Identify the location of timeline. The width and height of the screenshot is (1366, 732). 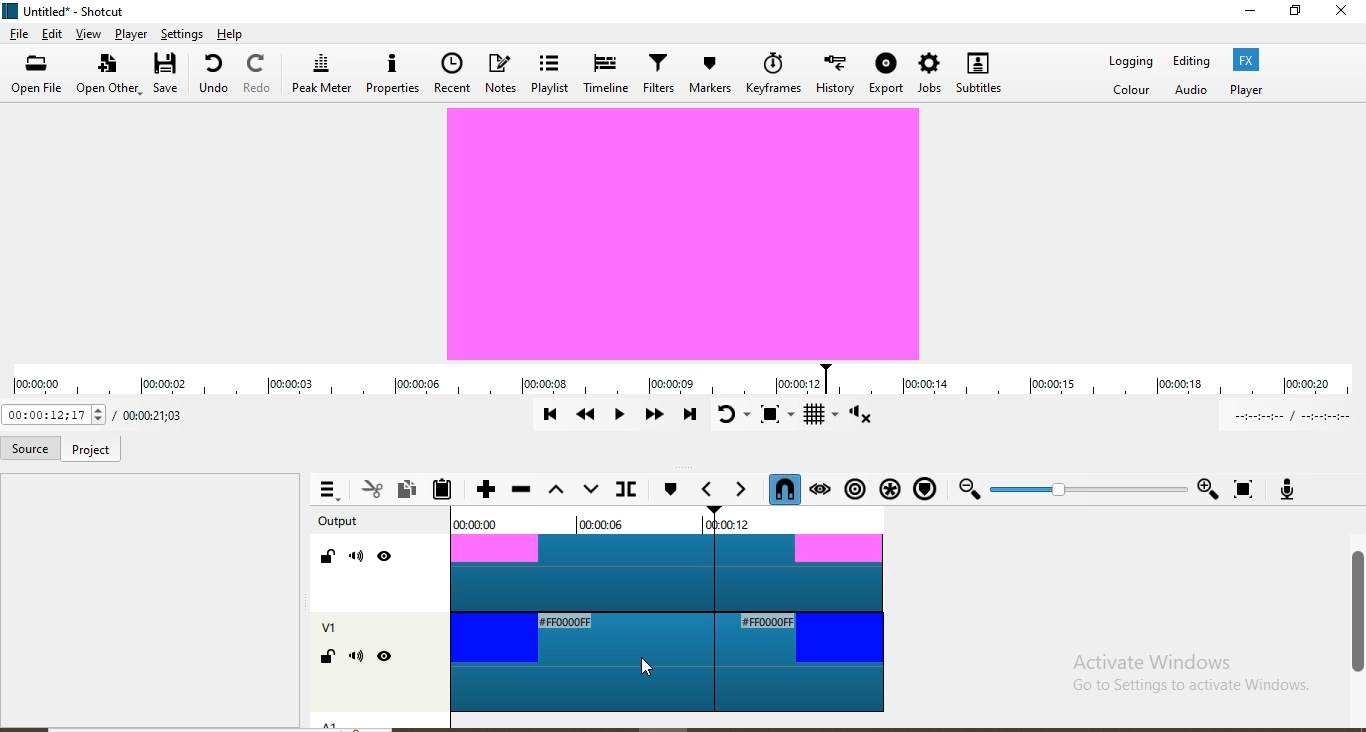
(680, 380).